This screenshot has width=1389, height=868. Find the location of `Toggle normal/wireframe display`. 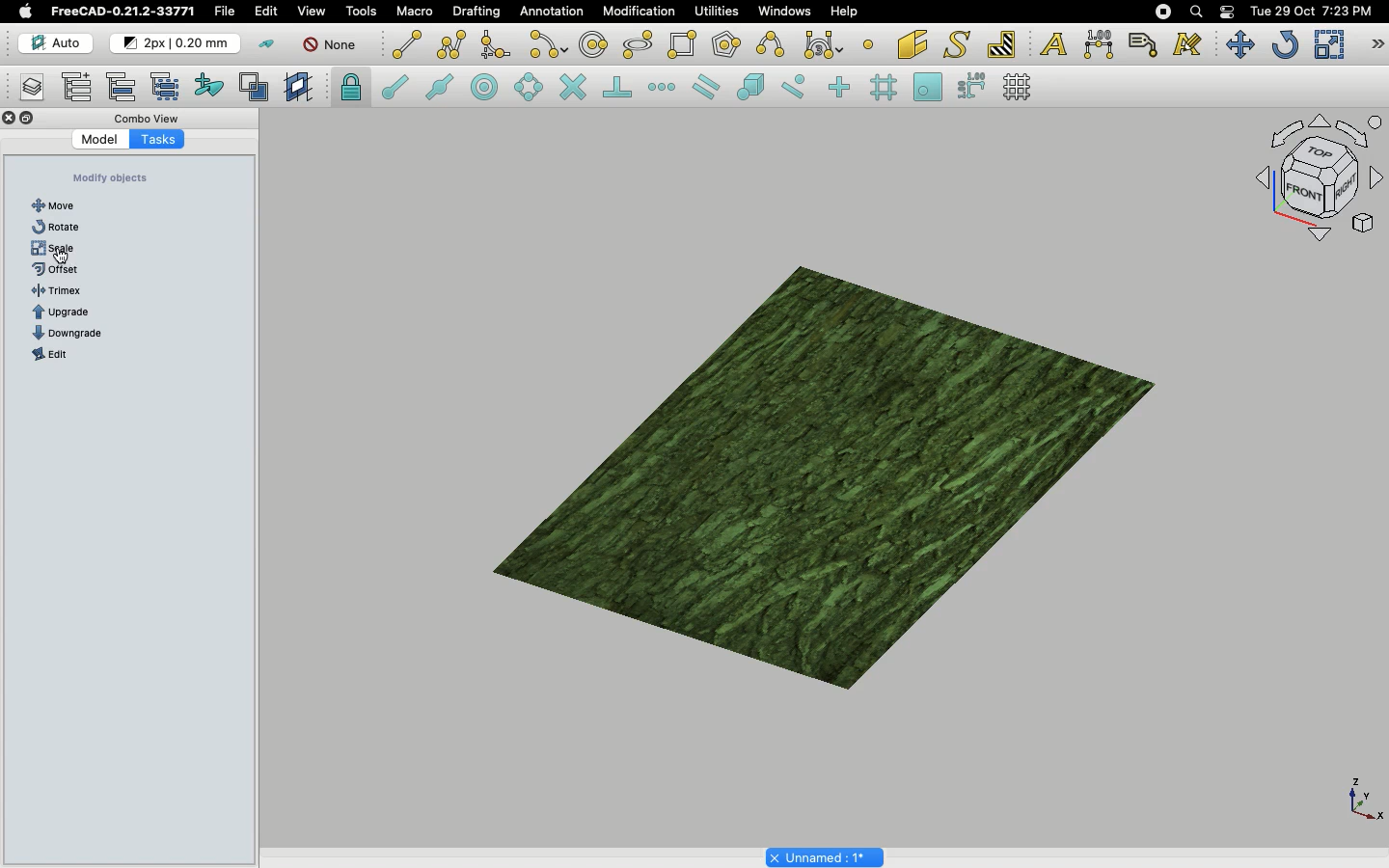

Toggle normal/wireframe display is located at coordinates (255, 87).